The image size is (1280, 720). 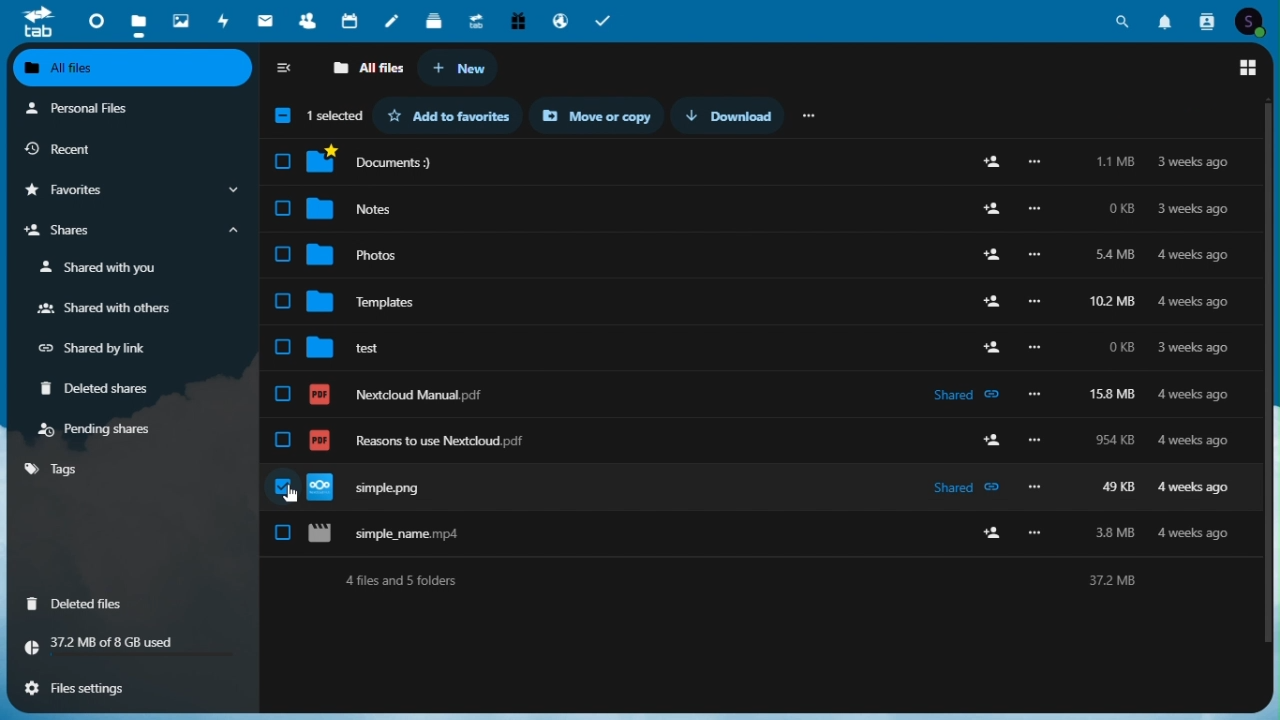 I want to click on files, so click(x=137, y=21).